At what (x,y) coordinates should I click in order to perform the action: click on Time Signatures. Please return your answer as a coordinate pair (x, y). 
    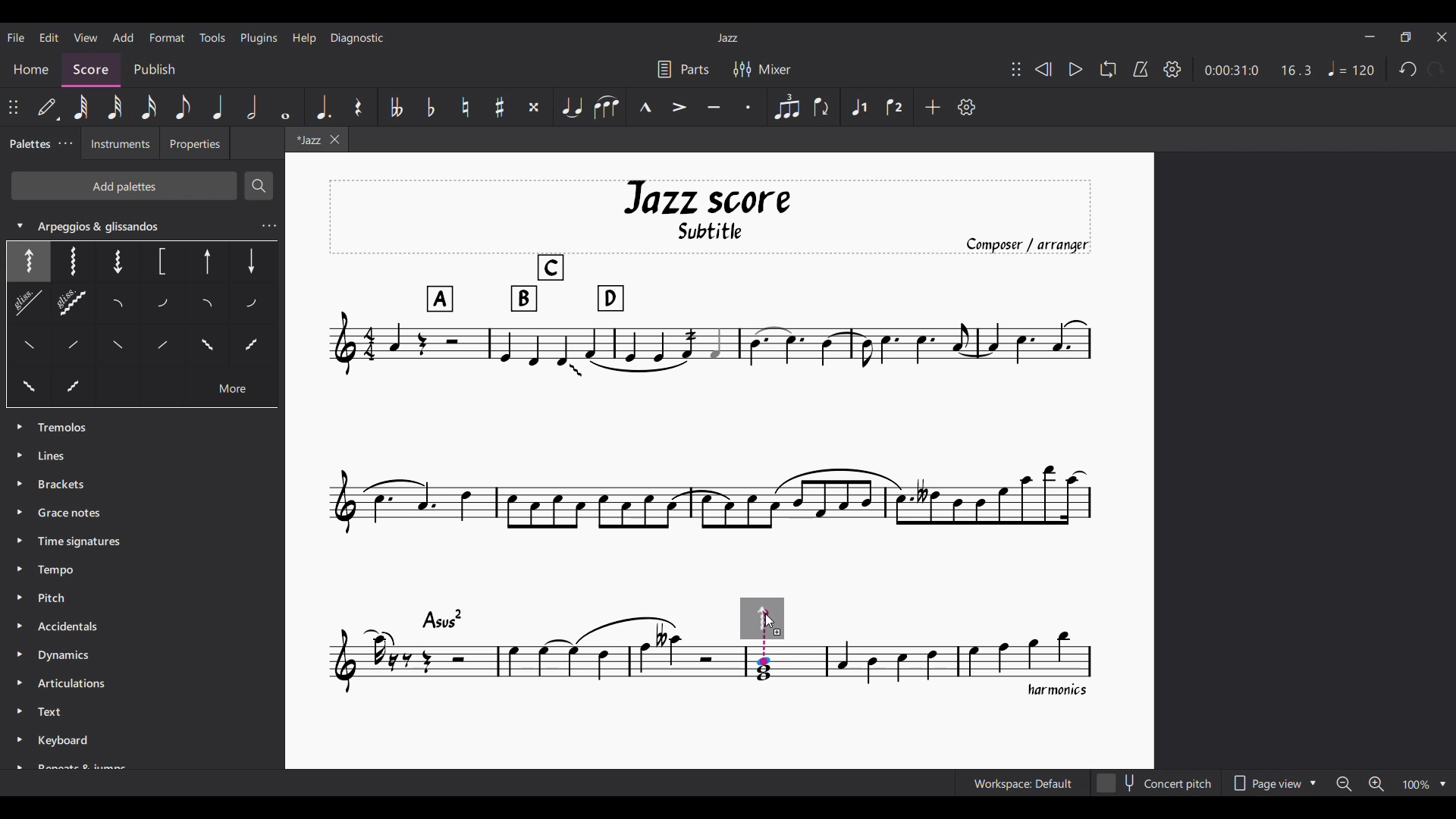
    Looking at the image, I should click on (83, 541).